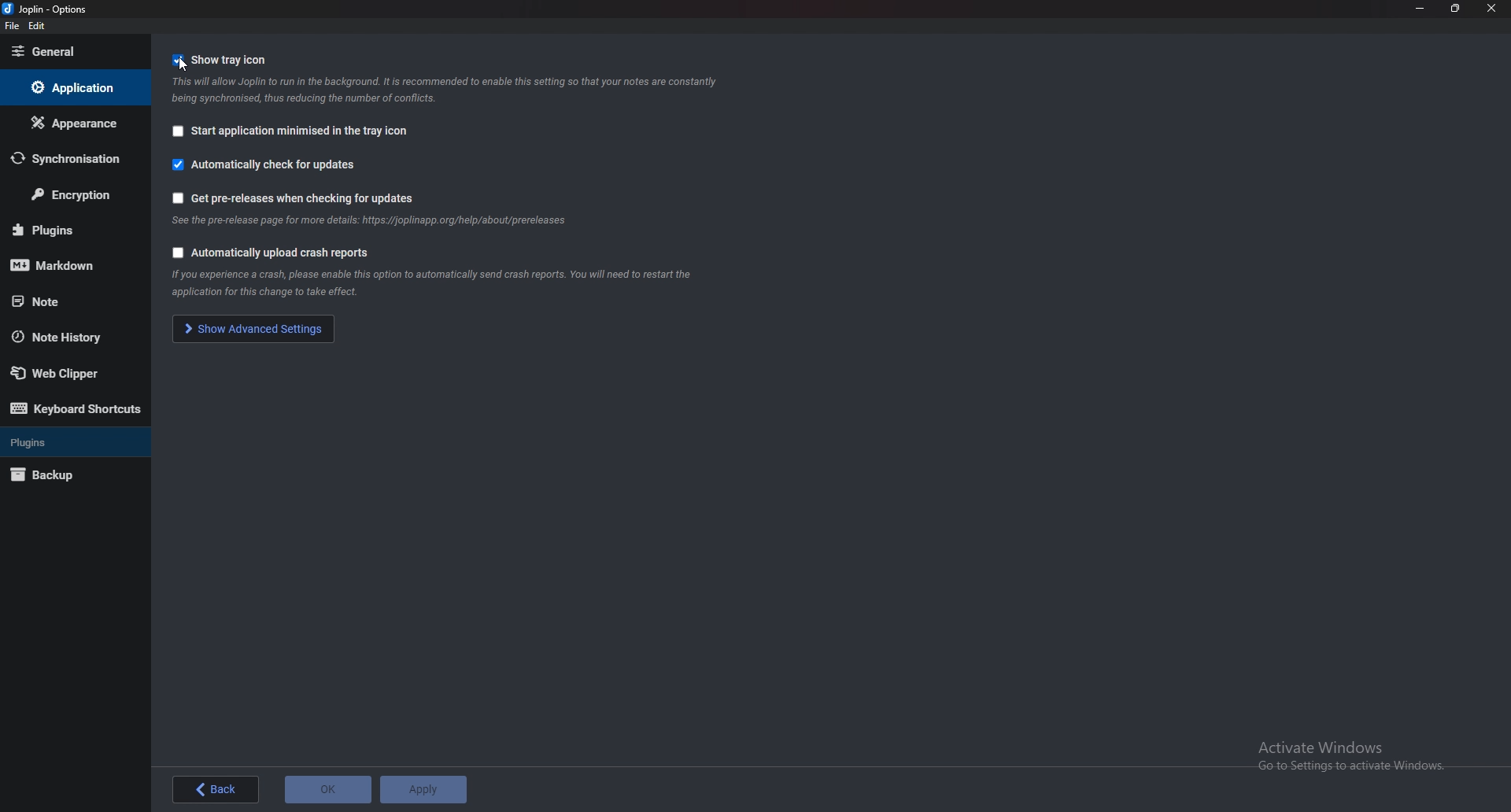  What do you see at coordinates (67, 227) in the screenshot?
I see `Plugins` at bounding box center [67, 227].